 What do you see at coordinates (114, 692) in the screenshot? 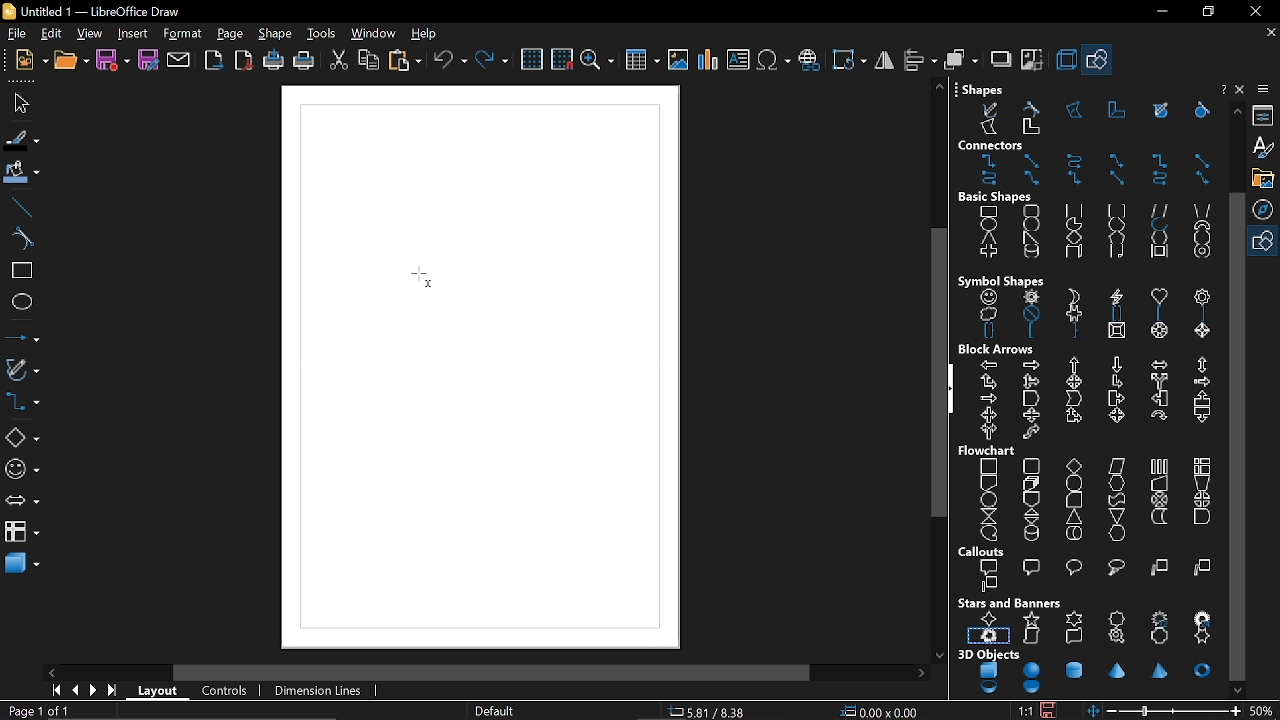
I see `go to last page` at bounding box center [114, 692].